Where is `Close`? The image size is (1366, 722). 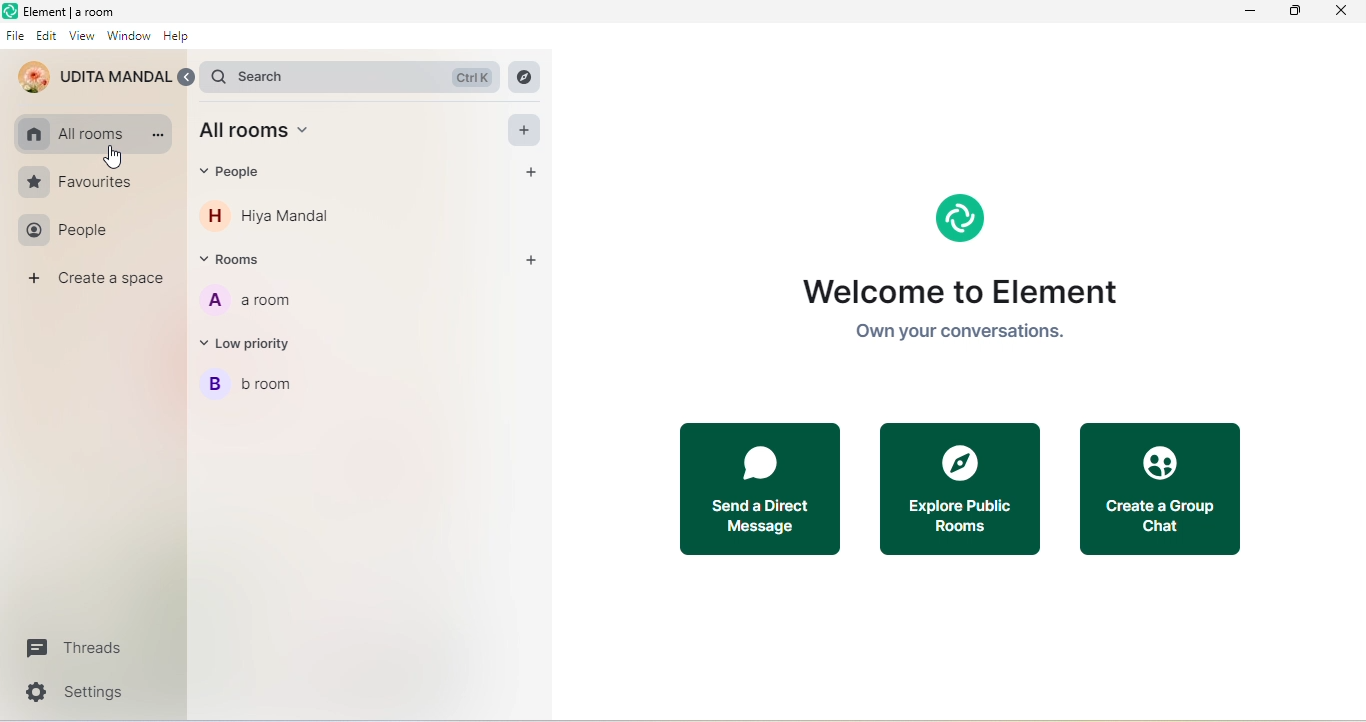 Close is located at coordinates (1347, 12).